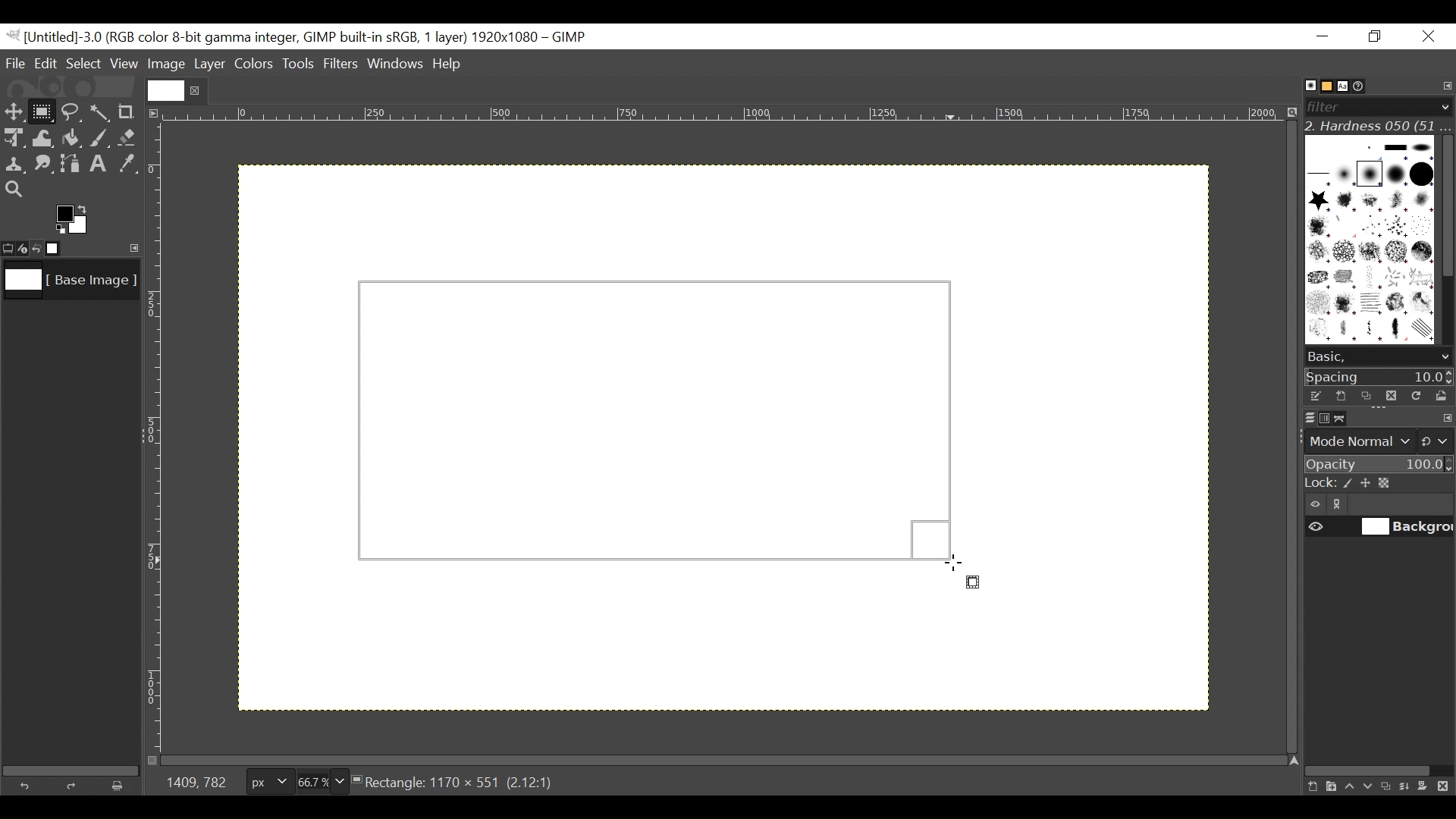 This screenshot has height=819, width=1456. I want to click on Unified Transform Tool, so click(13, 137).